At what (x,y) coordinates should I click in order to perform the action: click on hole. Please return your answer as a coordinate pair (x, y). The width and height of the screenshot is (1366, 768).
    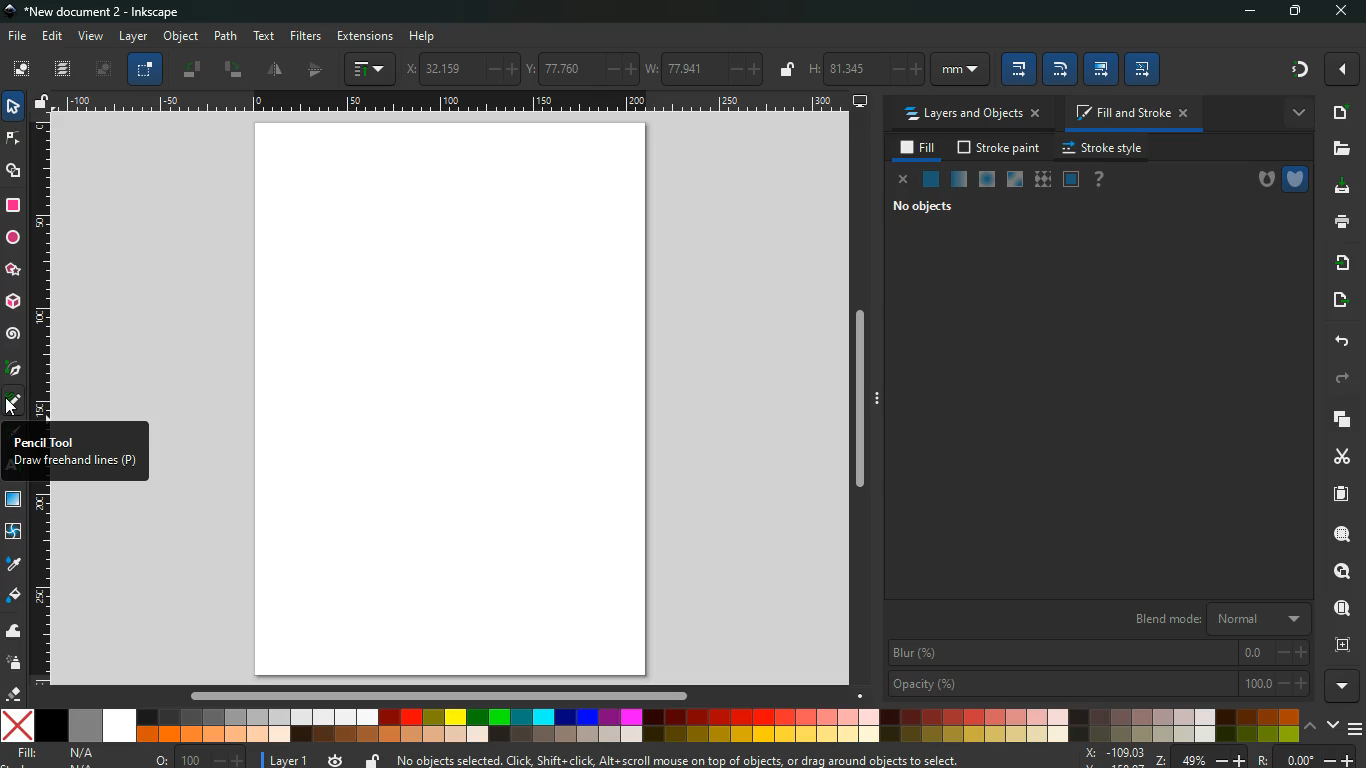
    Looking at the image, I should click on (1258, 177).